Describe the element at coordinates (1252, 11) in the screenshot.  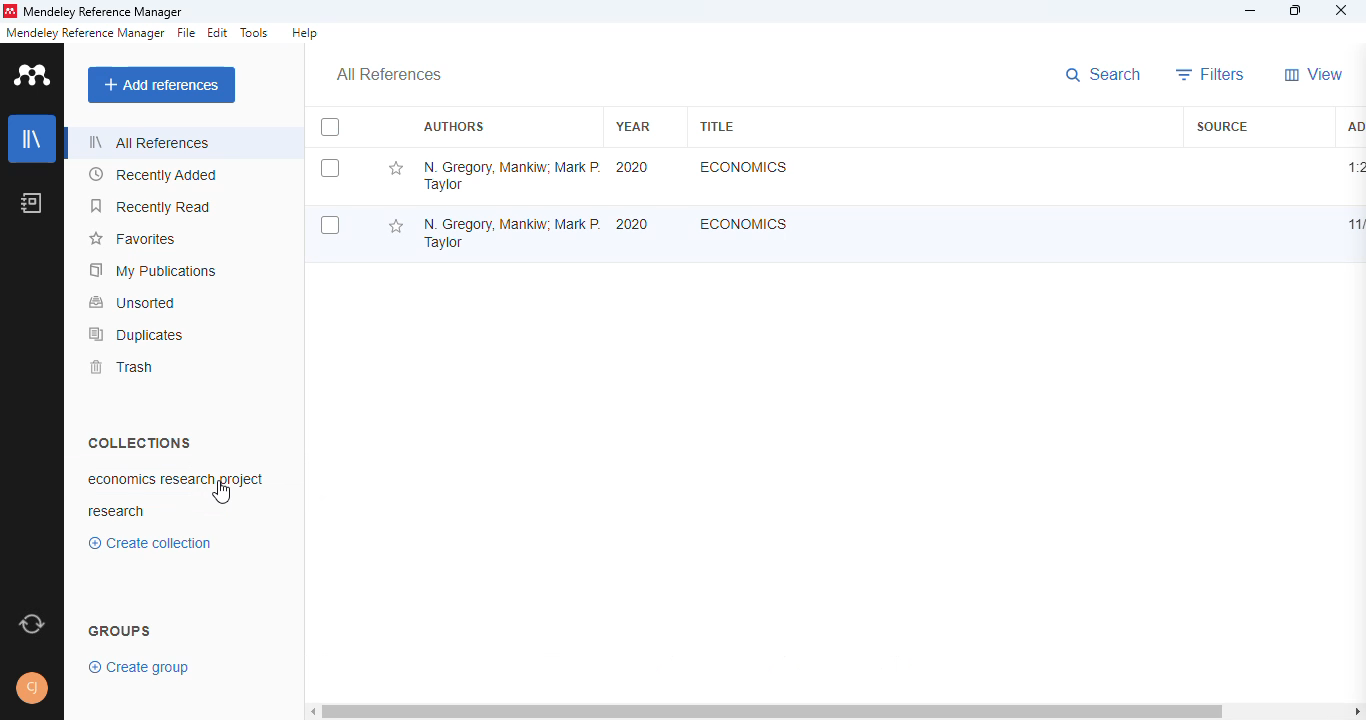
I see `minimize` at that location.